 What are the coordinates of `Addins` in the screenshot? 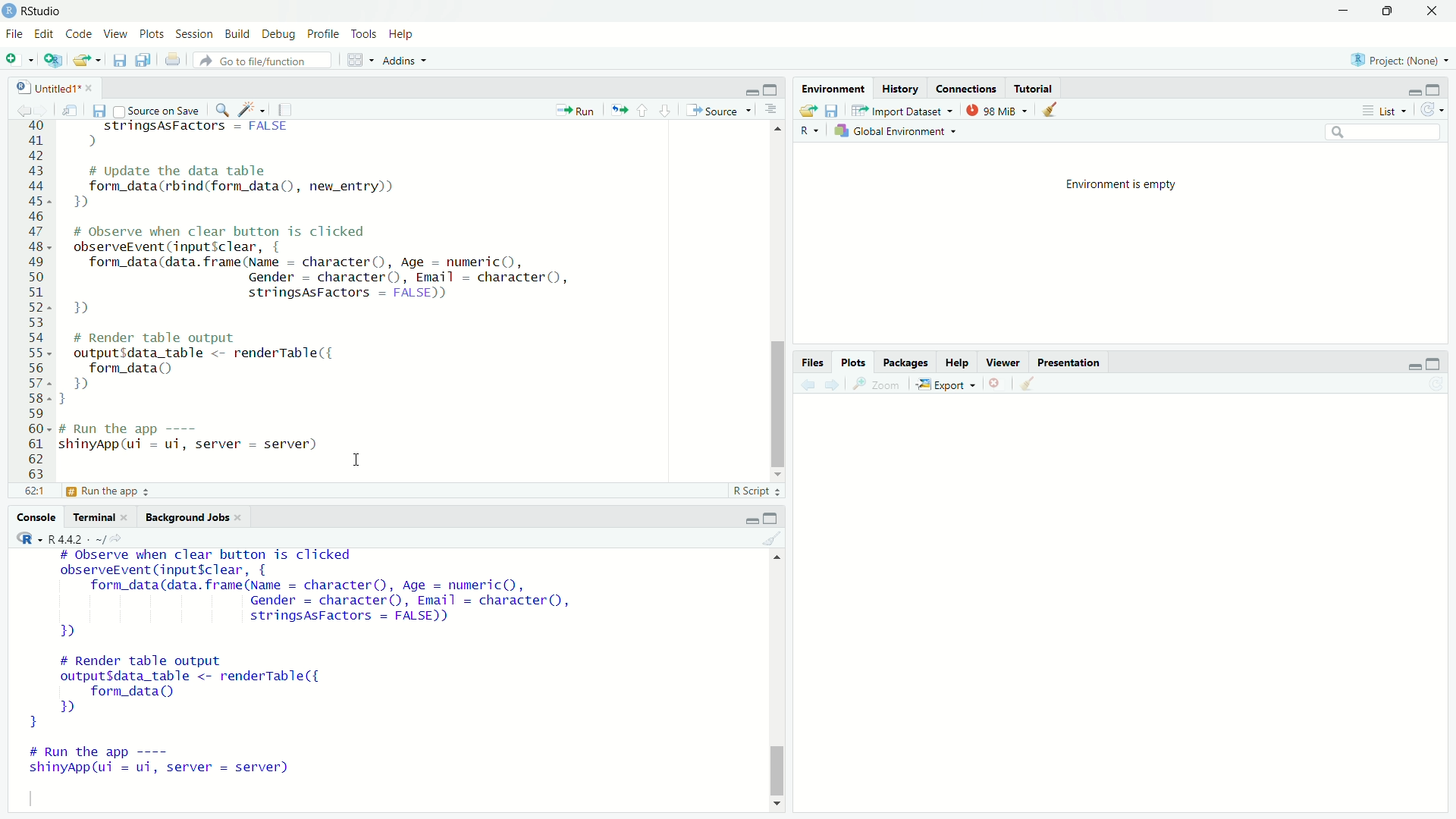 It's located at (405, 58).